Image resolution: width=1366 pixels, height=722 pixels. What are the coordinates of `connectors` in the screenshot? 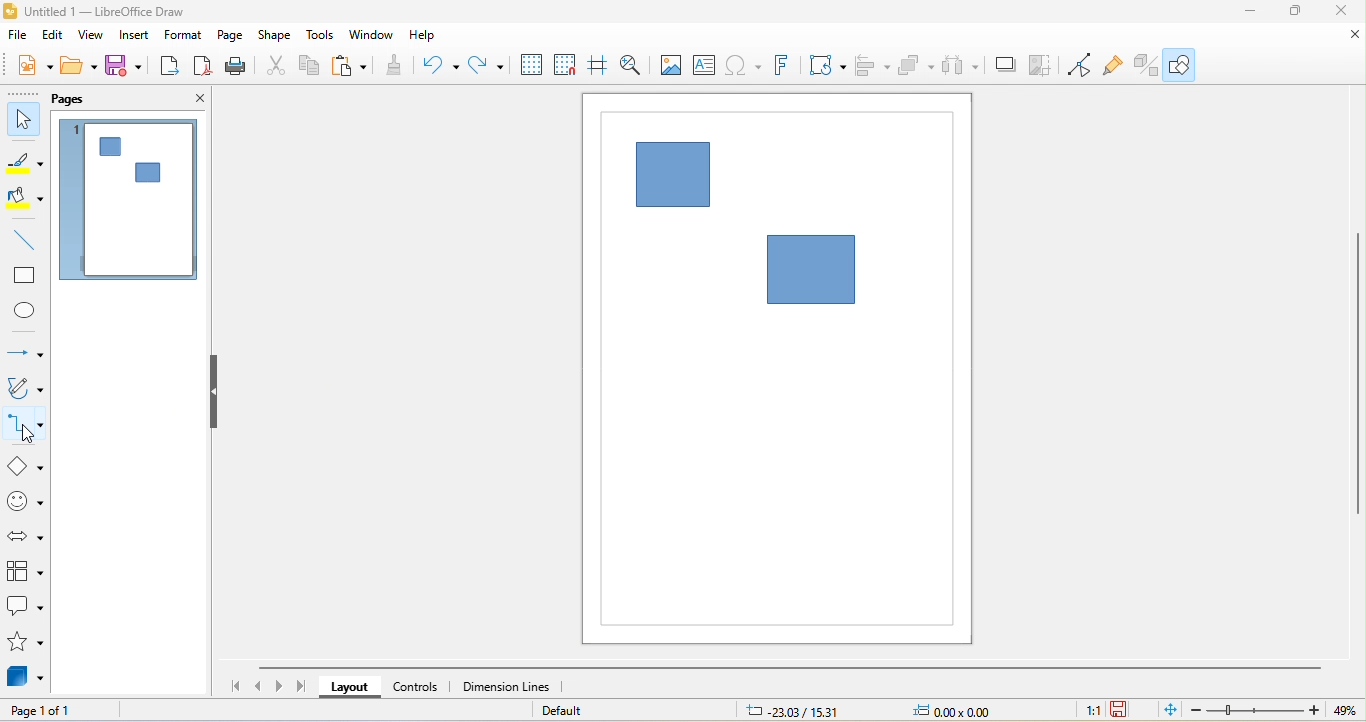 It's located at (26, 427).